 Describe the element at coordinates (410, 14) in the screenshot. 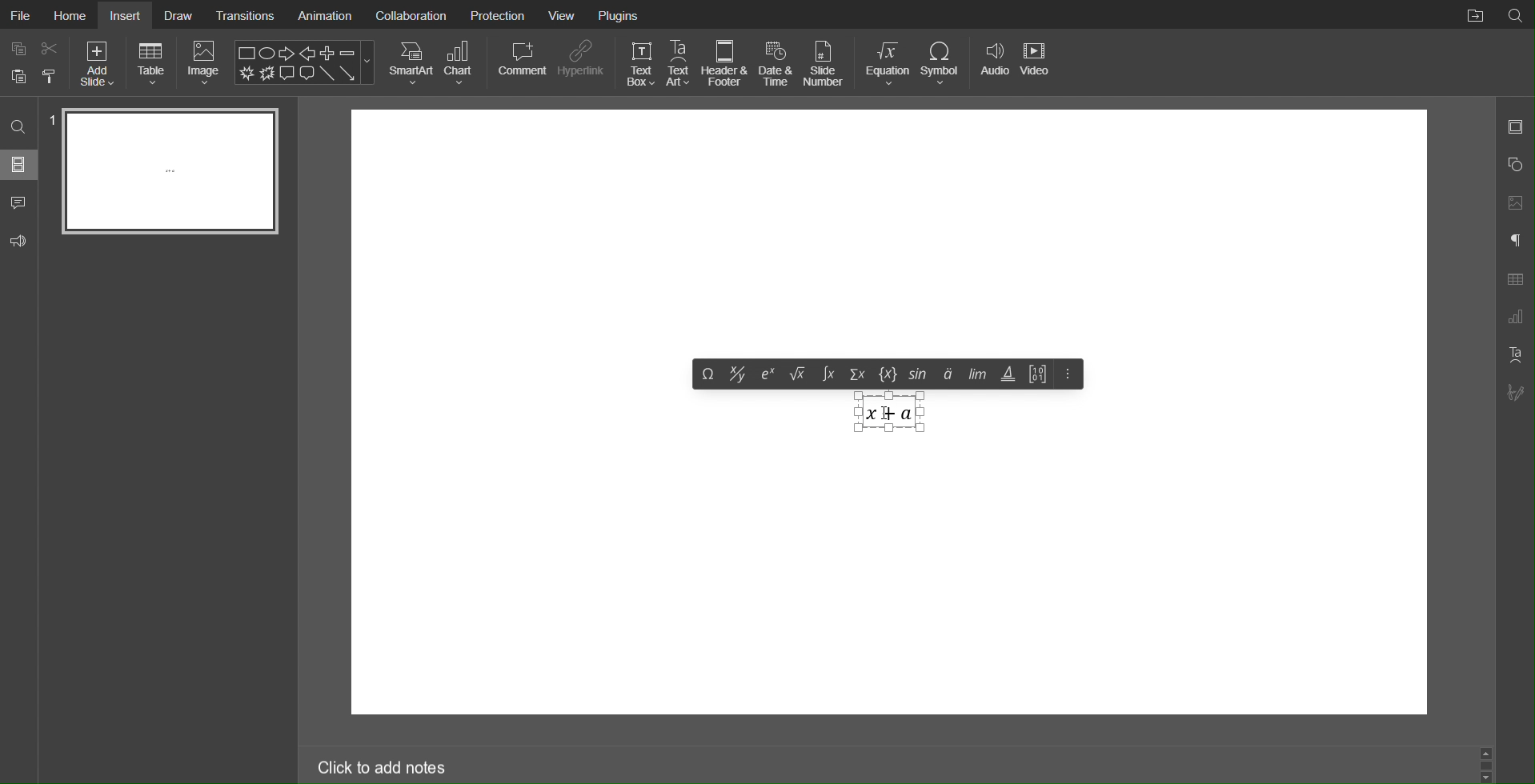

I see `Collaboration` at that location.